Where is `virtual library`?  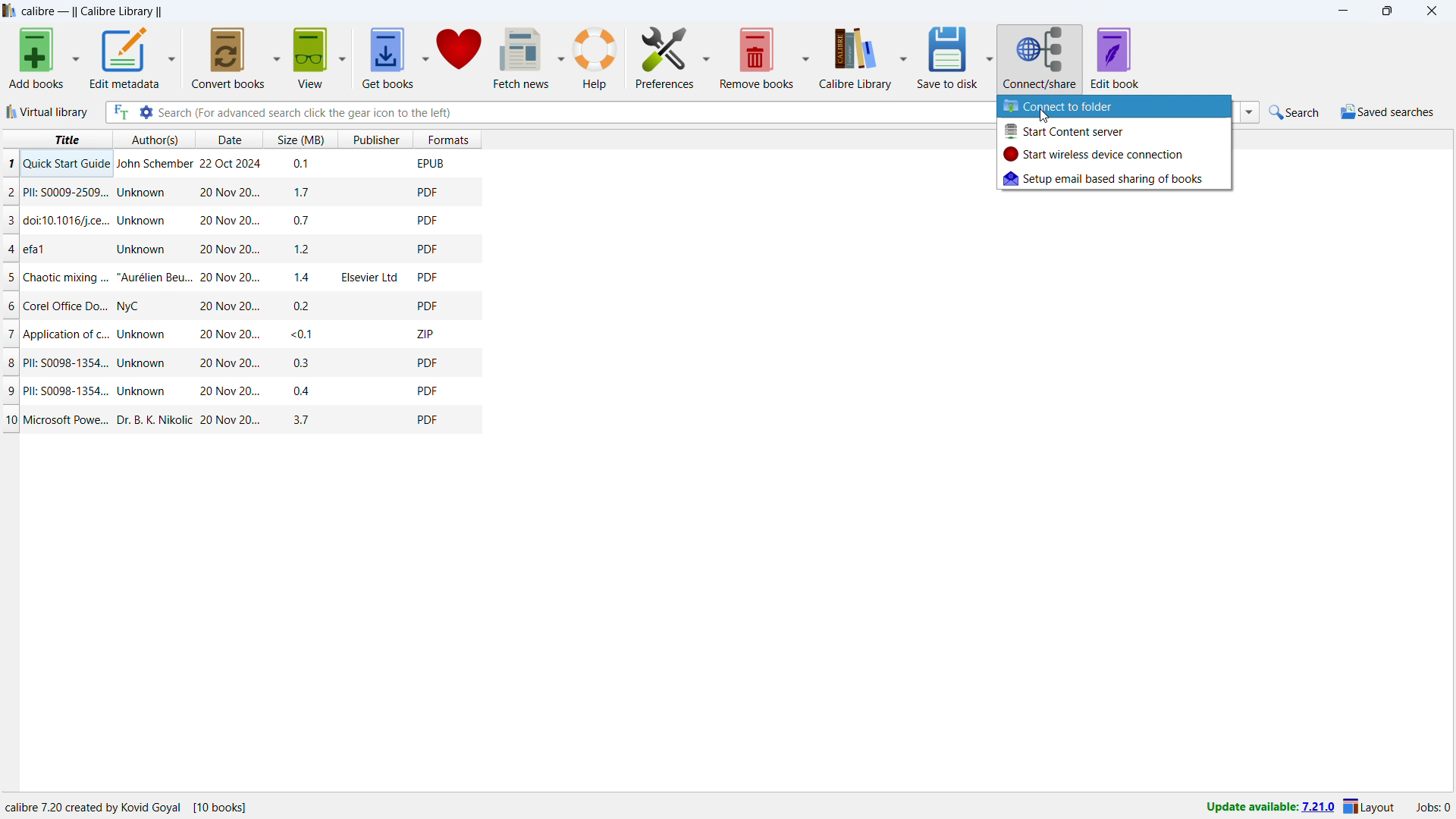
virtual library is located at coordinates (48, 111).